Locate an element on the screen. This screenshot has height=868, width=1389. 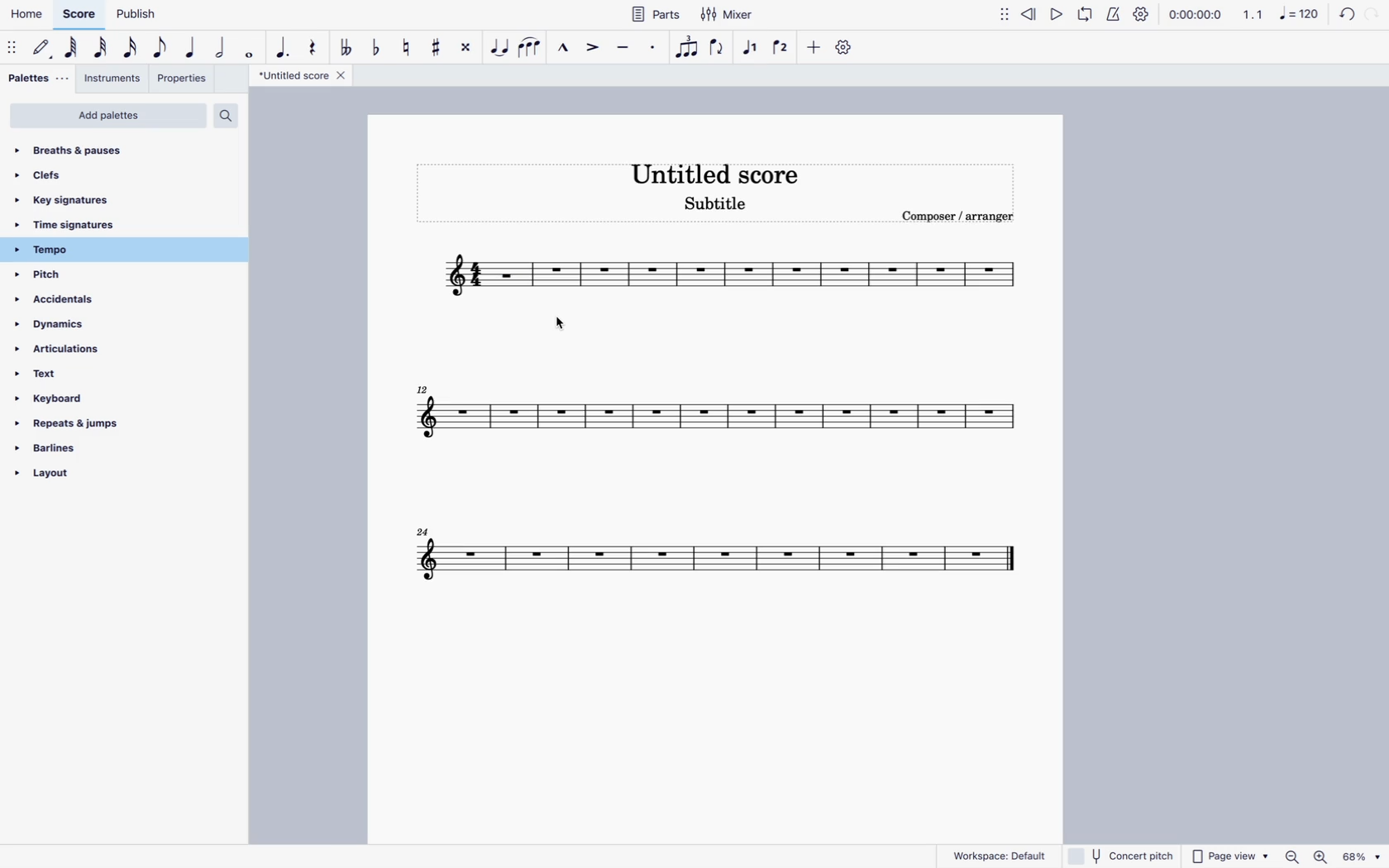
time signatures is located at coordinates (87, 224).